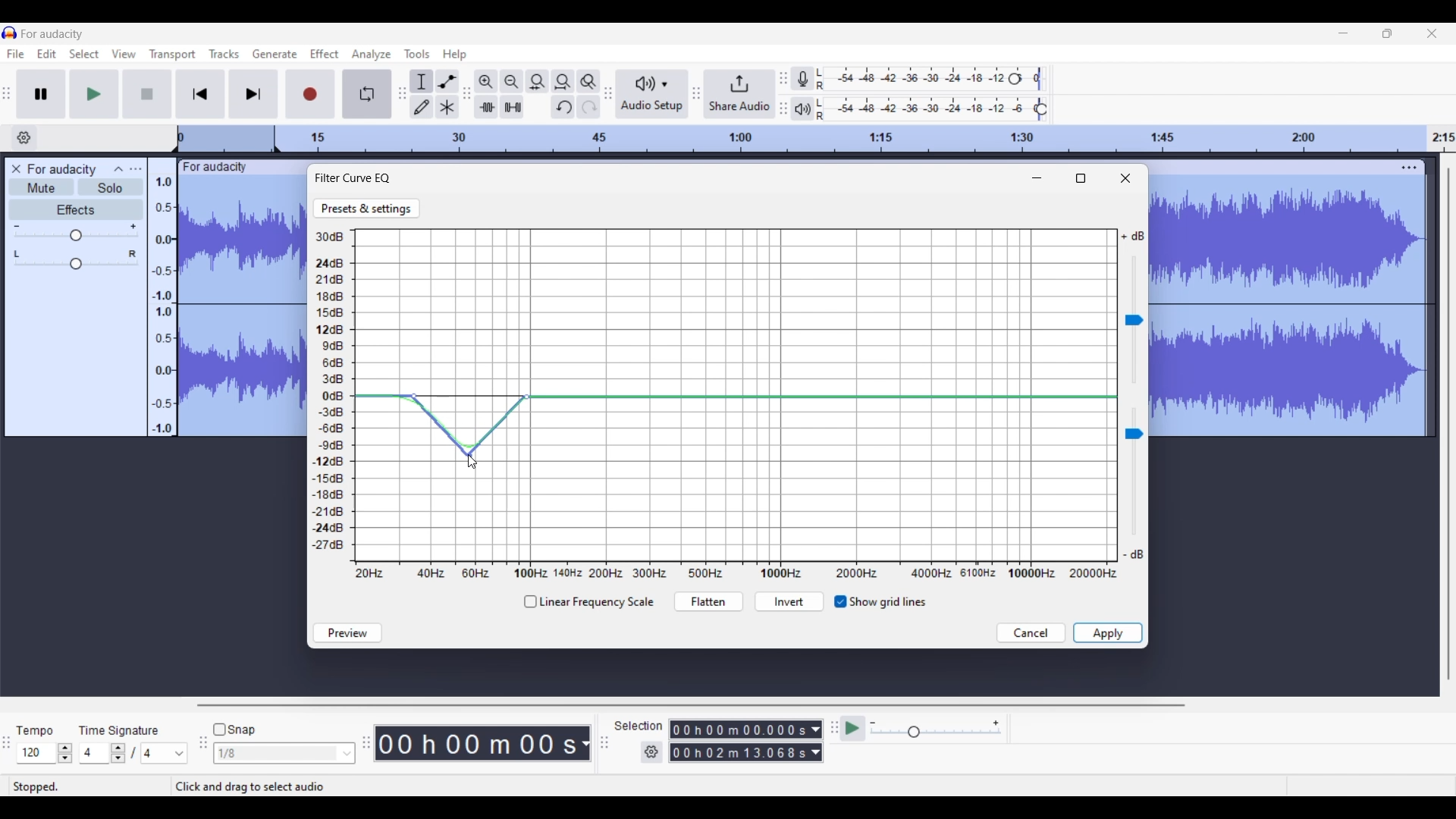 The height and width of the screenshot is (819, 1456). I want to click on Fit selection to width, so click(537, 81).